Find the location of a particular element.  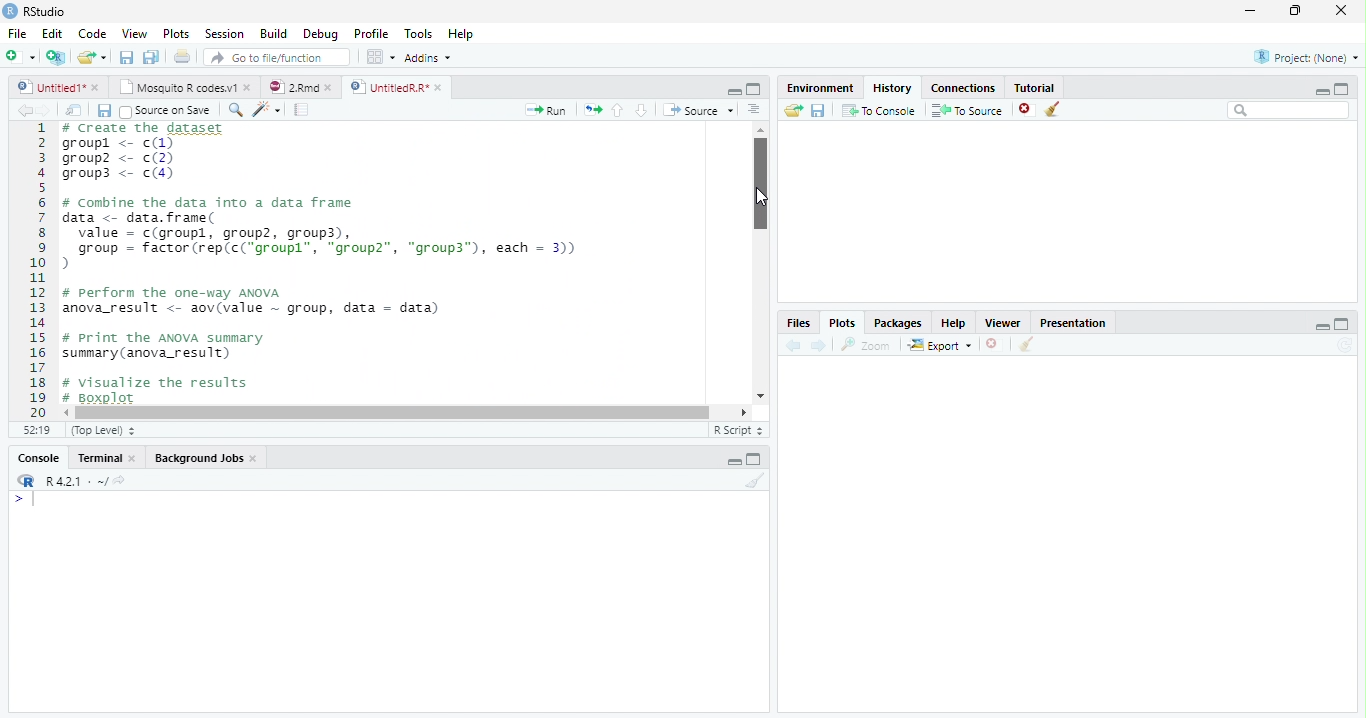

Create a Project is located at coordinates (56, 57).